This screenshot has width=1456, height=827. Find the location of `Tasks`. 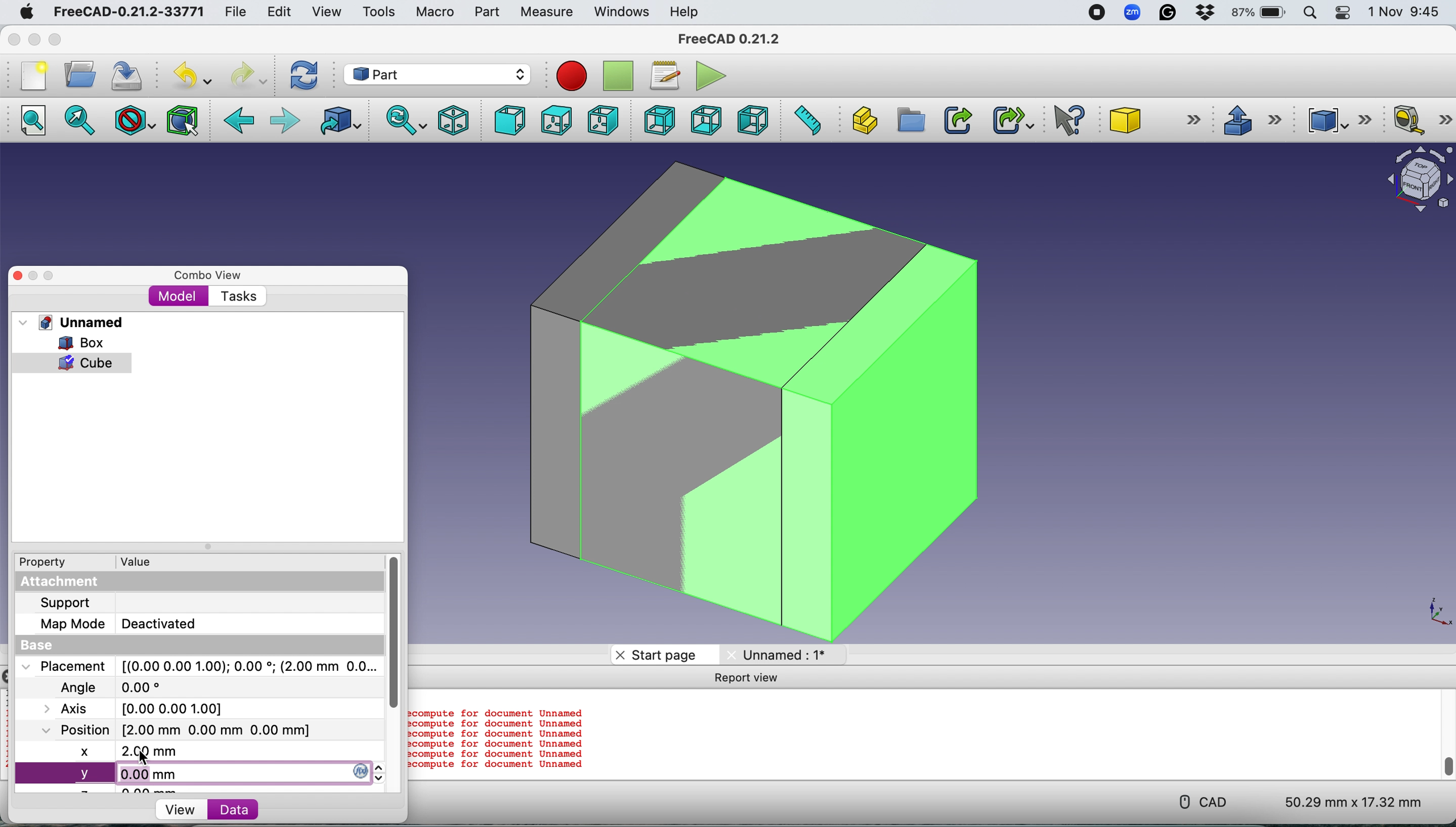

Tasks is located at coordinates (238, 297).